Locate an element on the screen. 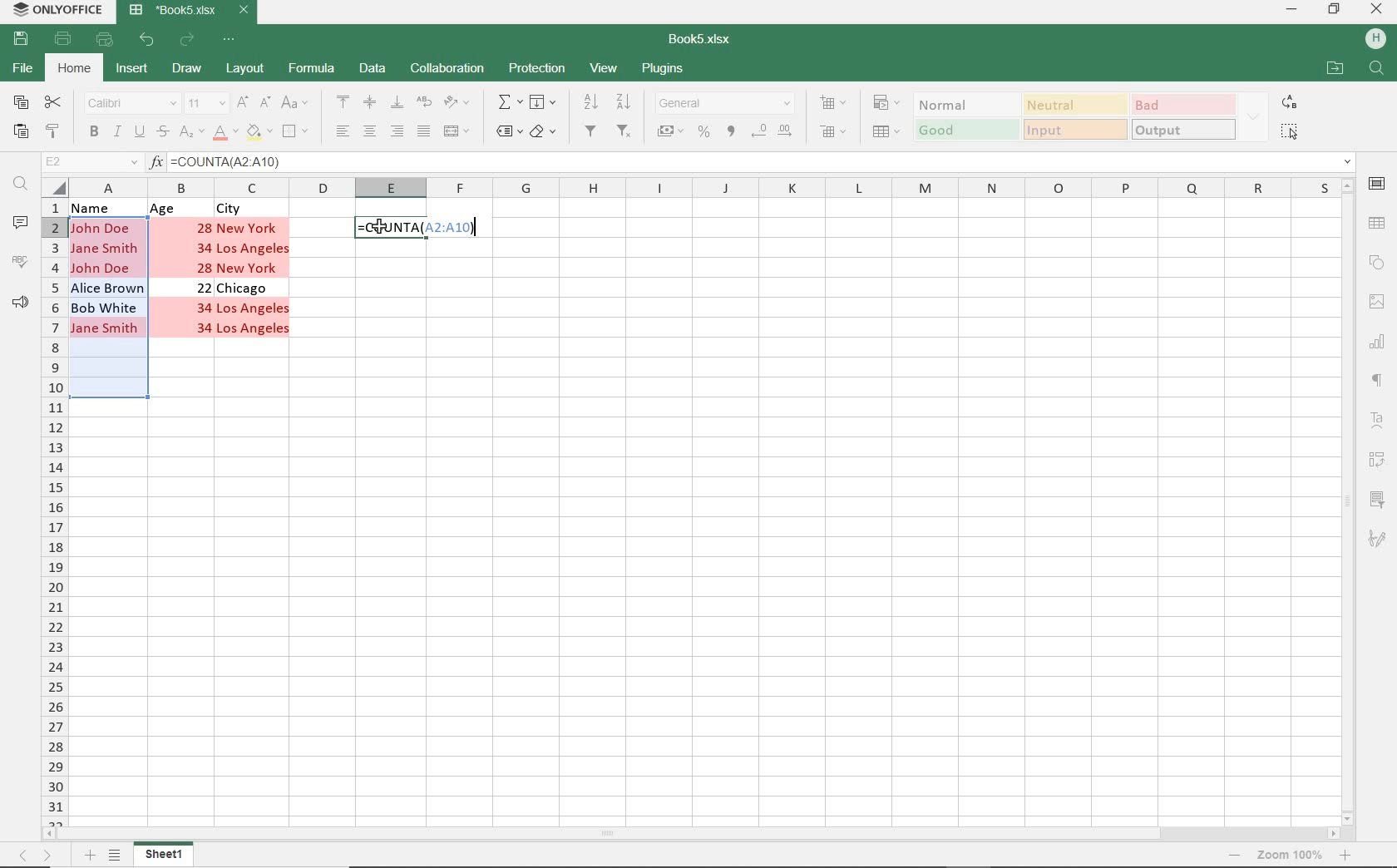  EXPAND is located at coordinates (1256, 116).